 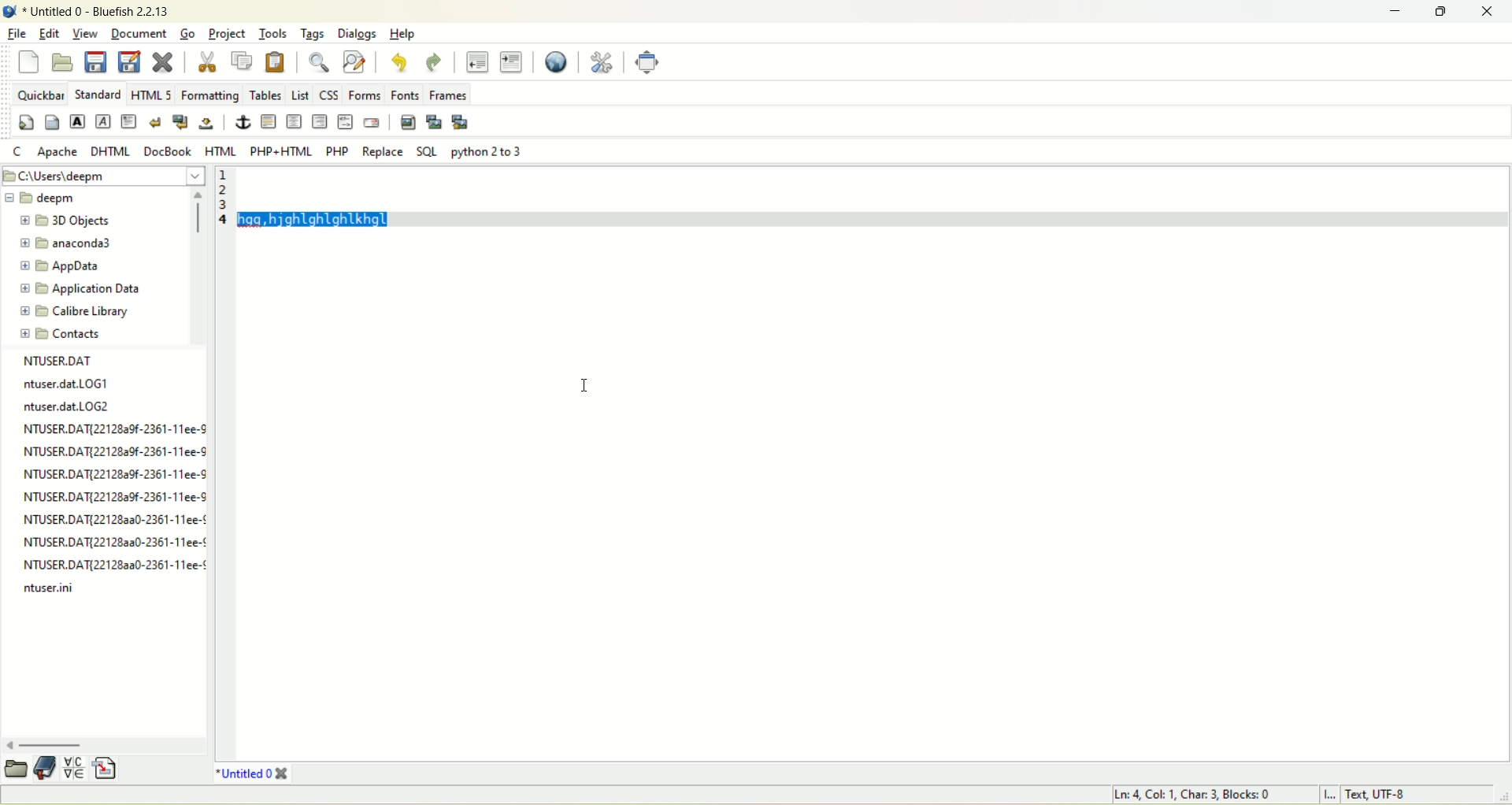 I want to click on sql, so click(x=427, y=152).